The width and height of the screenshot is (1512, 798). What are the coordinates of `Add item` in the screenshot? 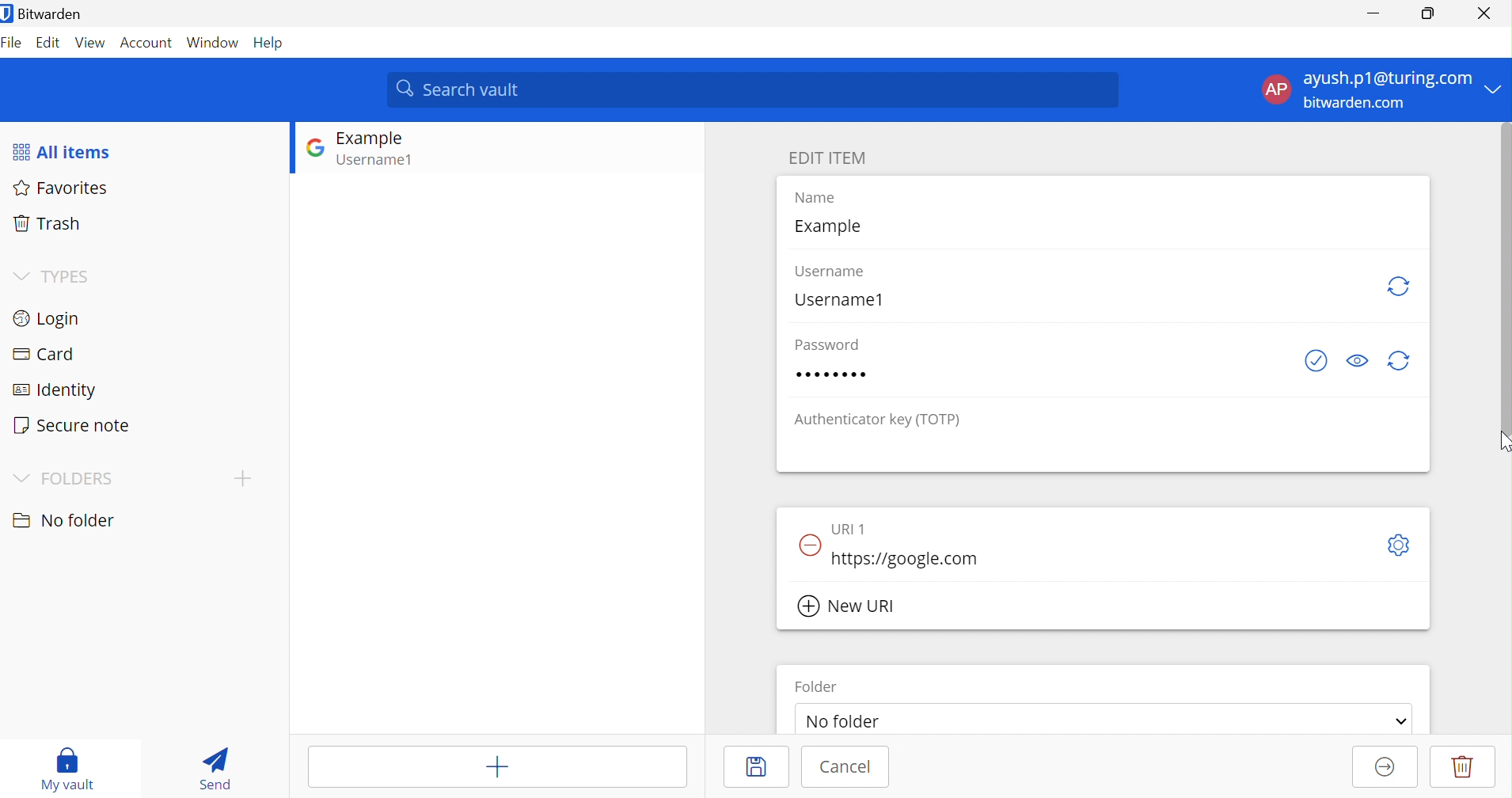 It's located at (496, 765).